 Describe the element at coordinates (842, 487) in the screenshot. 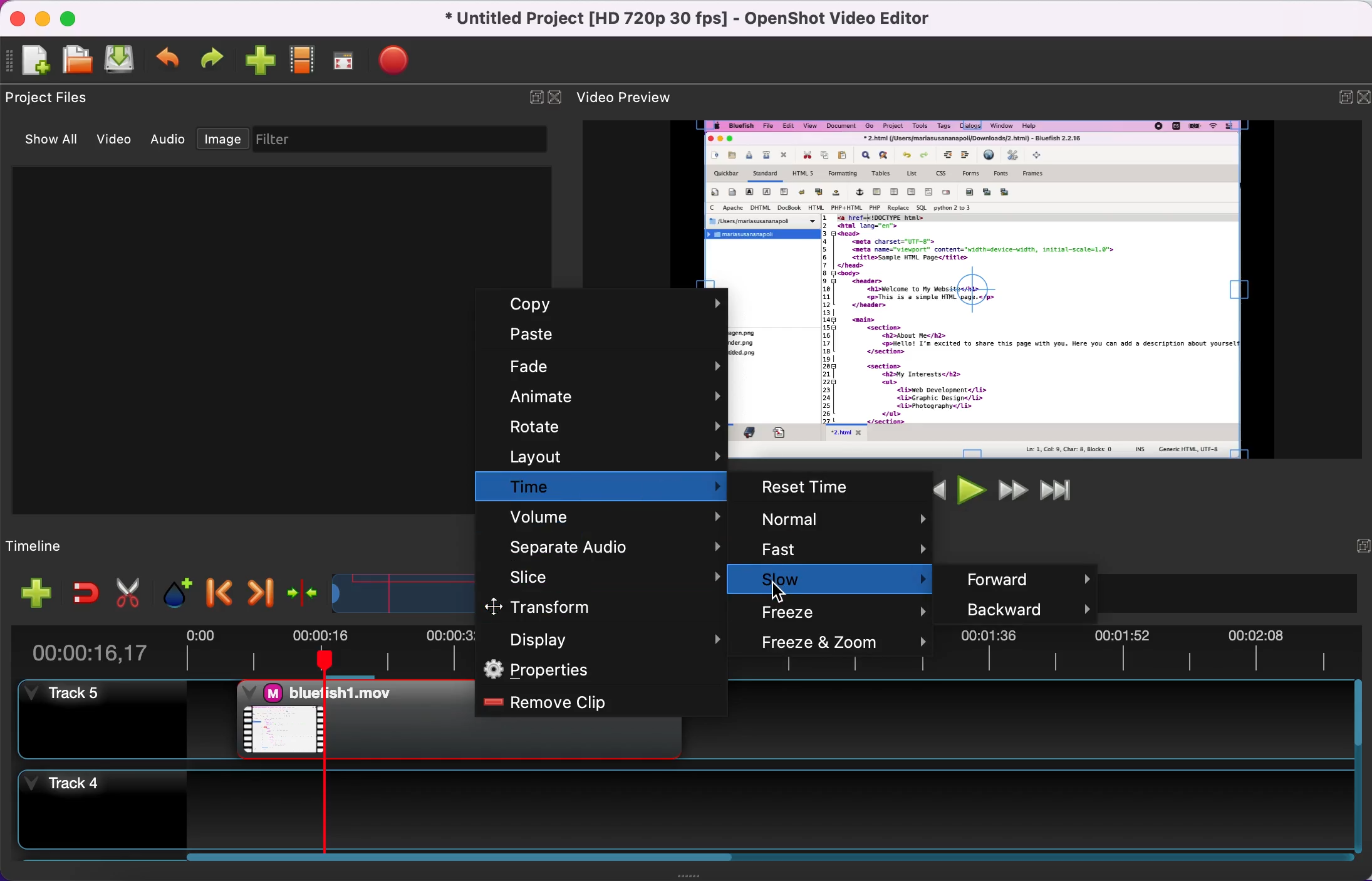

I see `reset time` at that location.